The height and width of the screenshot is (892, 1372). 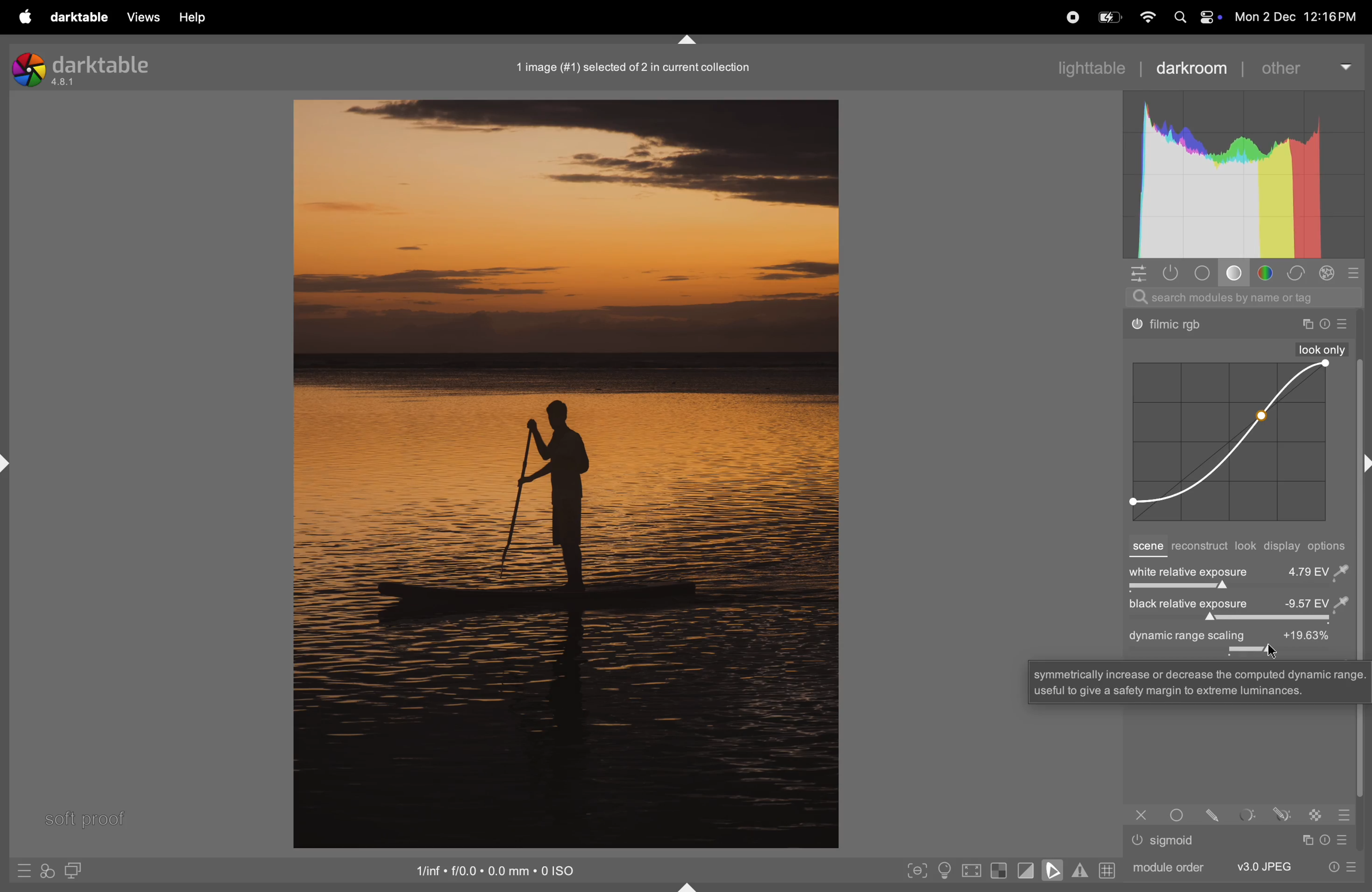 I want to click on date and time, so click(x=1301, y=18).